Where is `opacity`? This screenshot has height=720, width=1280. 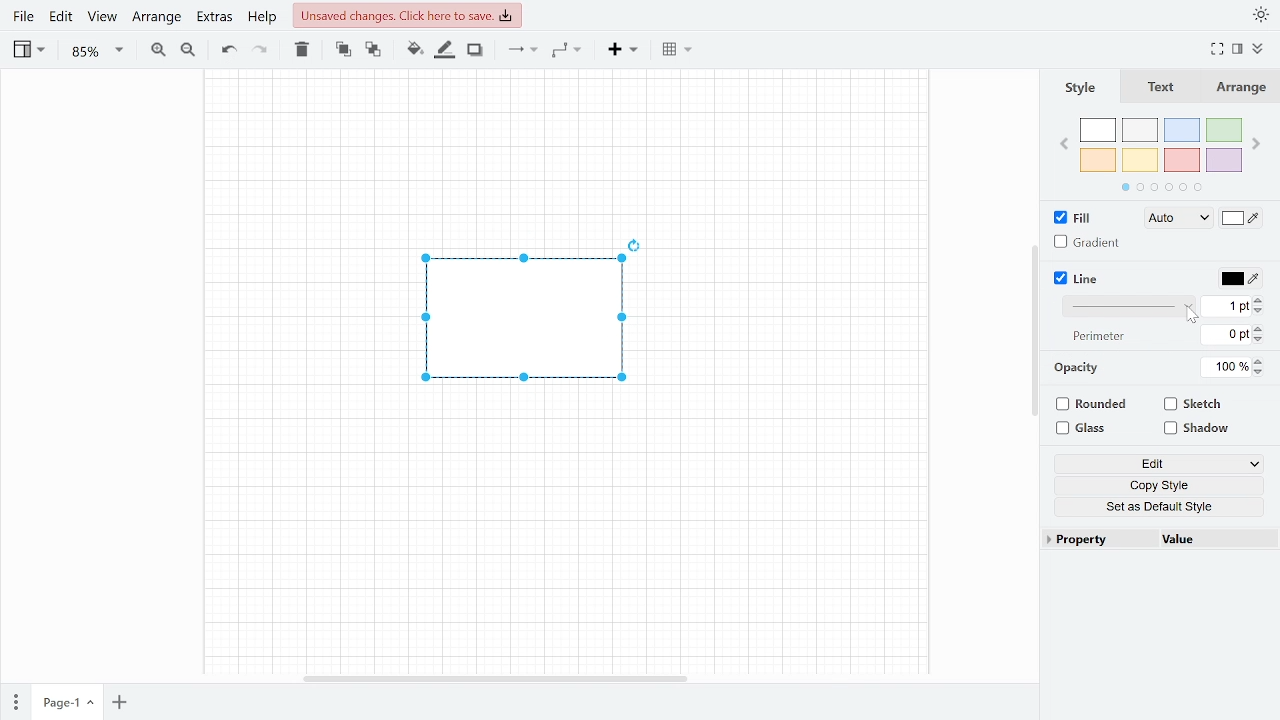 opacity is located at coordinates (1077, 370).